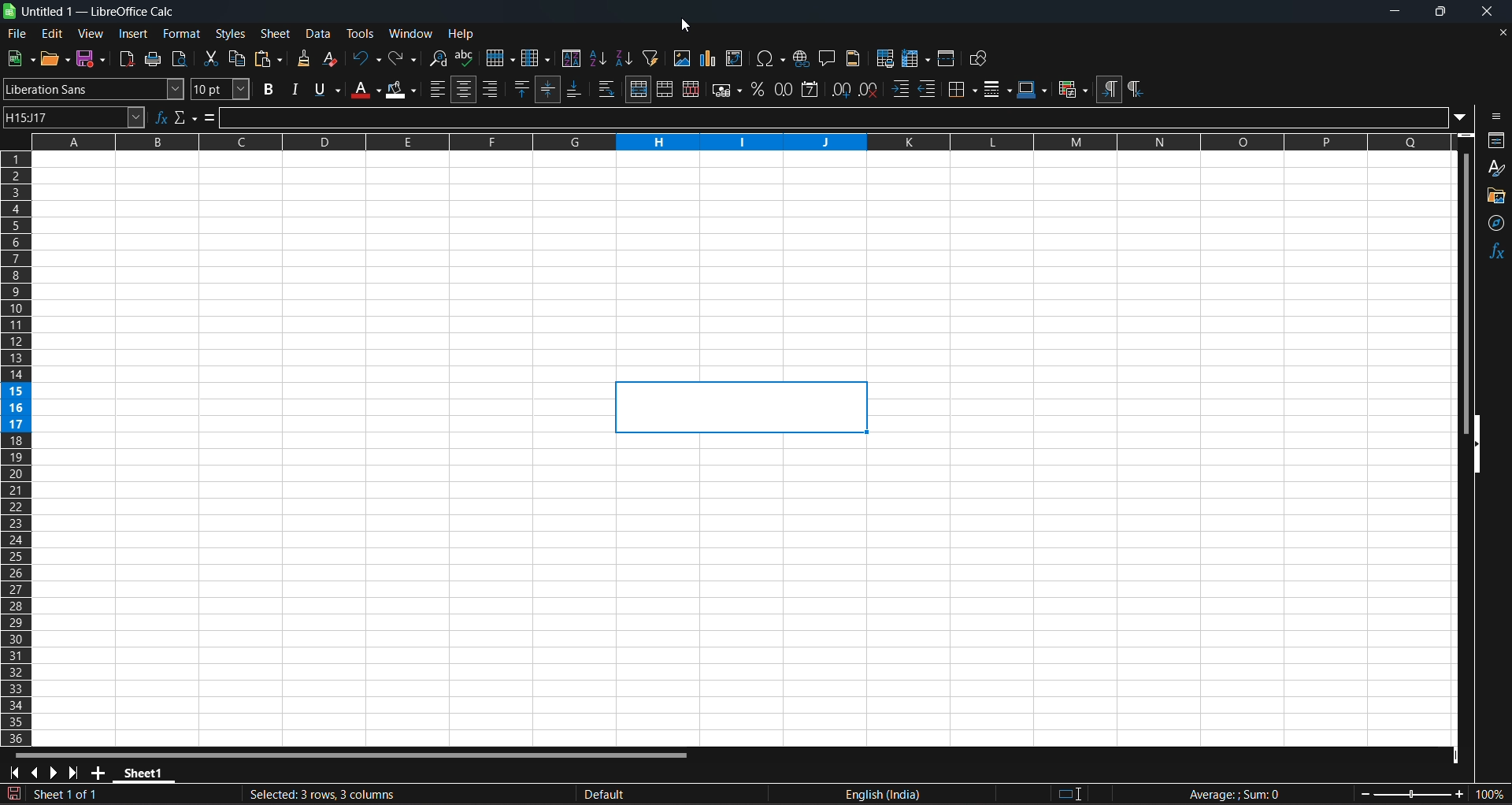  Describe the element at coordinates (580, 89) in the screenshot. I see `align bottom` at that location.